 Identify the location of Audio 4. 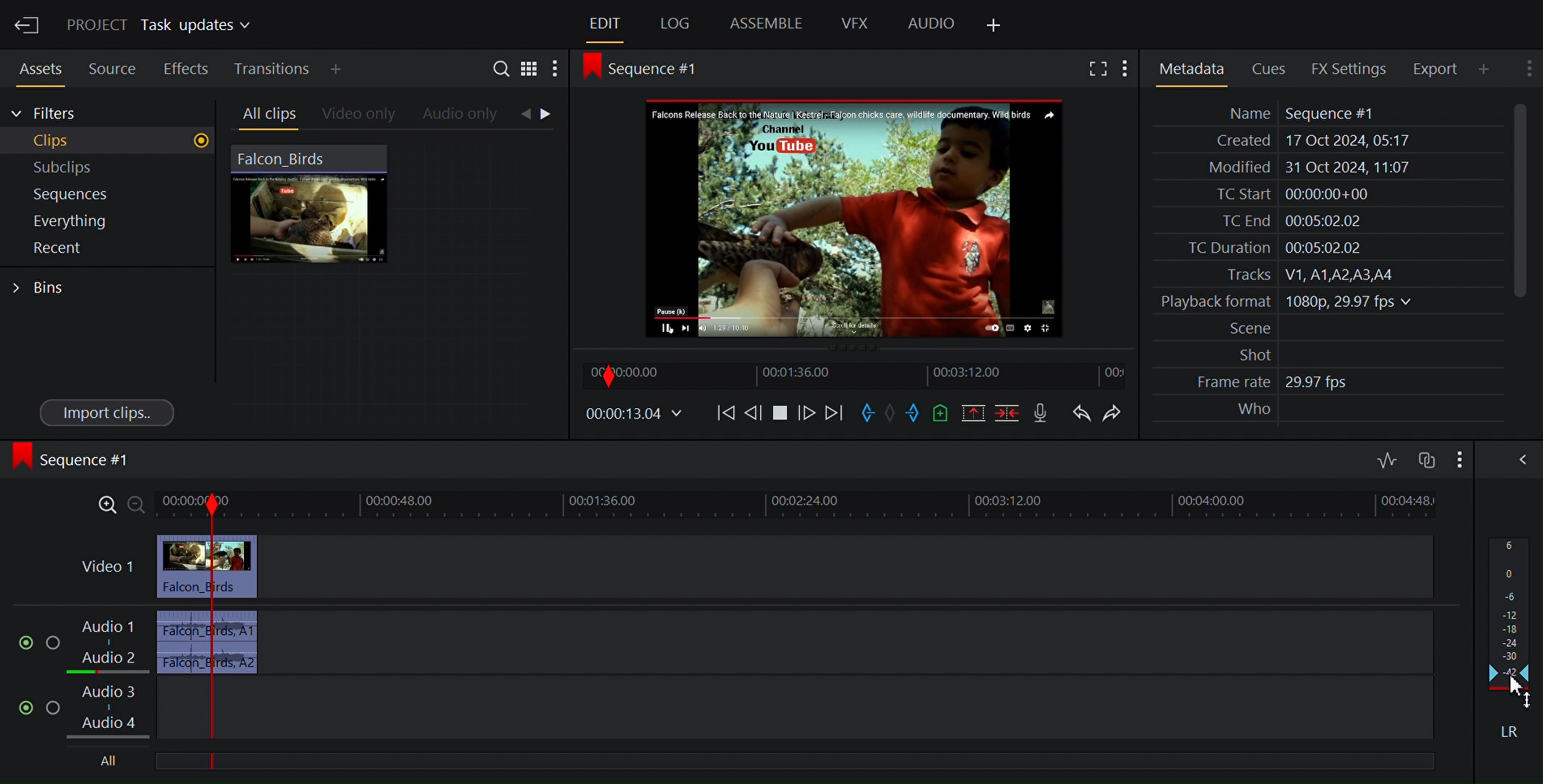
(113, 724).